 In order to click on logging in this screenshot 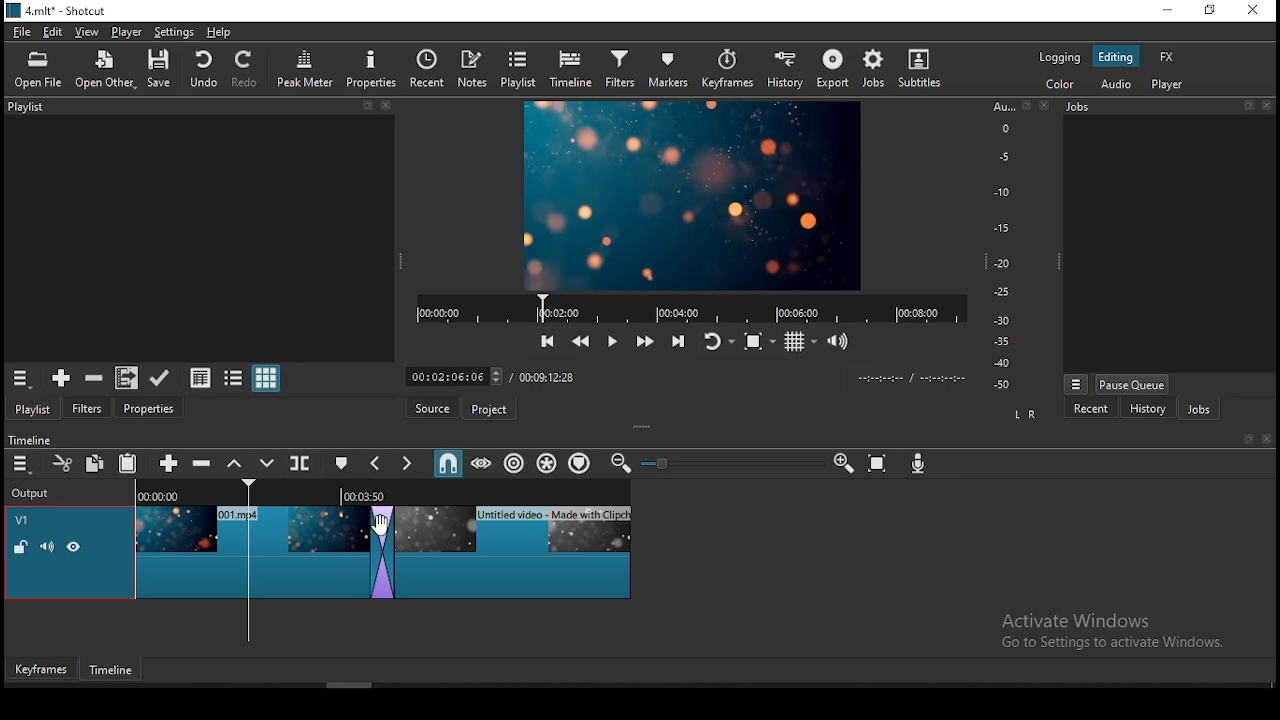, I will do `click(1059, 58)`.